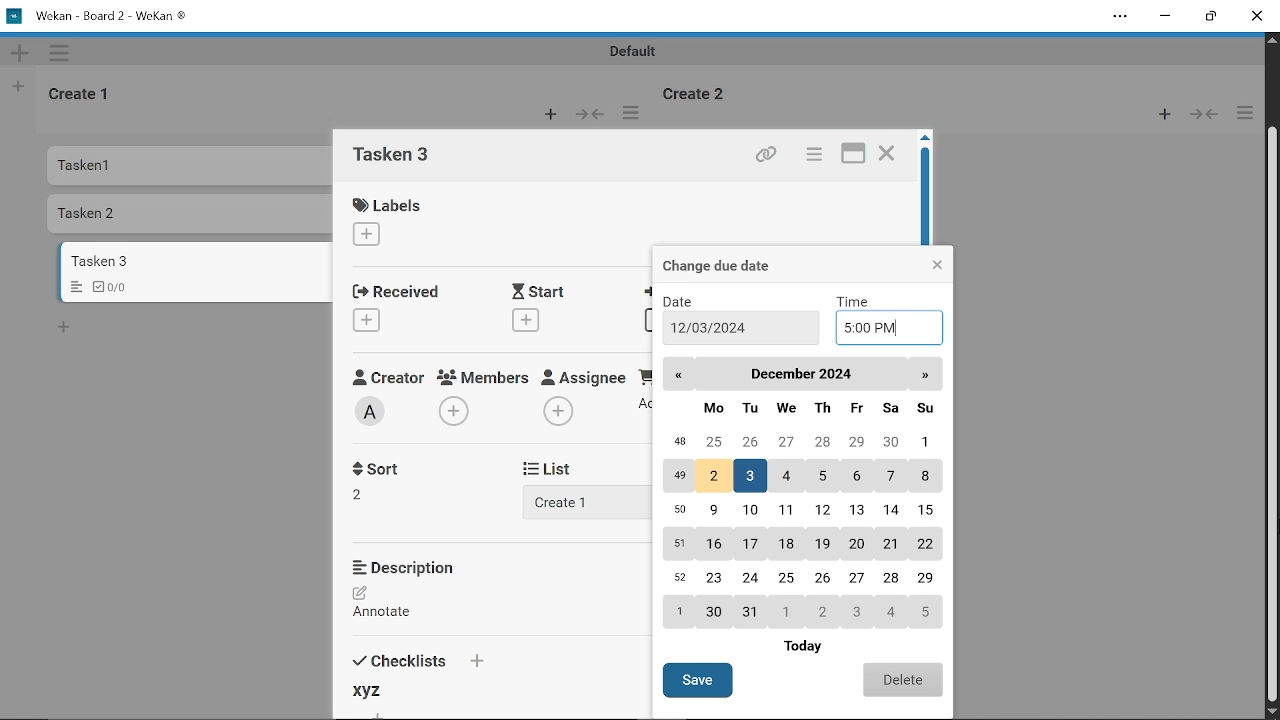 The height and width of the screenshot is (720, 1280). Describe the element at coordinates (132, 214) in the screenshot. I see `Tasken 2` at that location.